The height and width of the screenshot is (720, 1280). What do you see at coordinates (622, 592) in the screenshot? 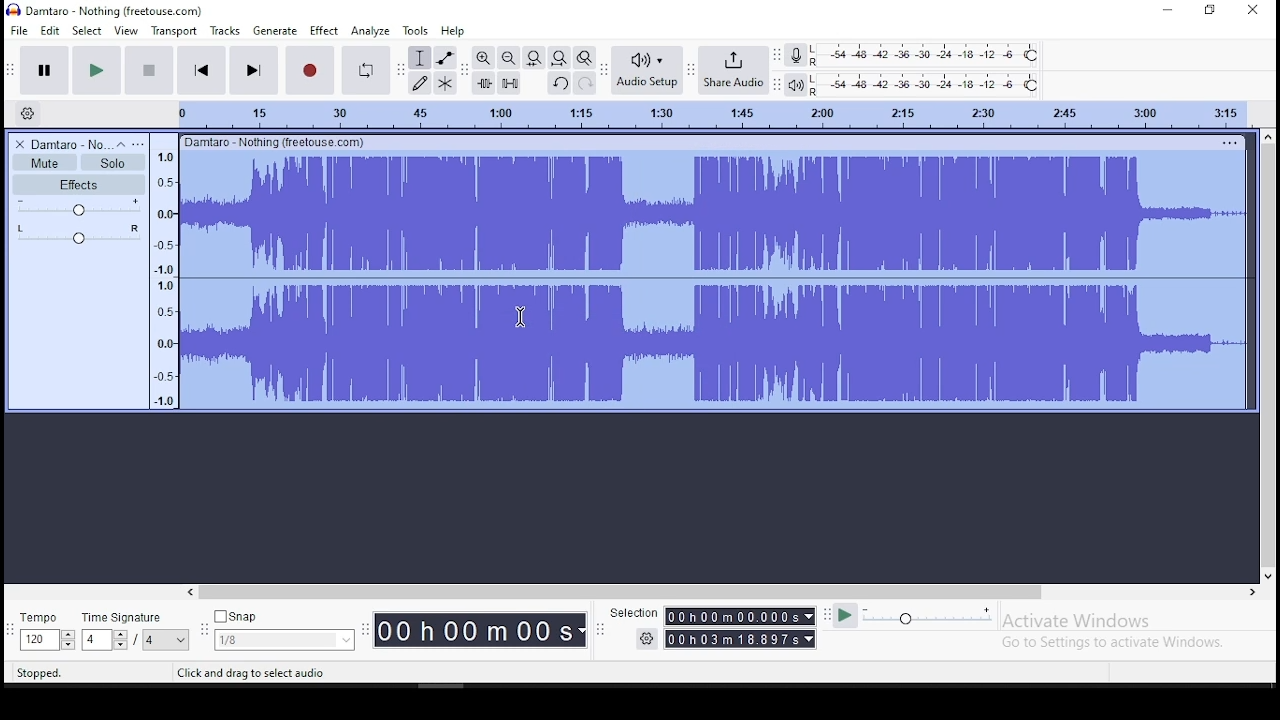
I see `scroll bar` at bounding box center [622, 592].